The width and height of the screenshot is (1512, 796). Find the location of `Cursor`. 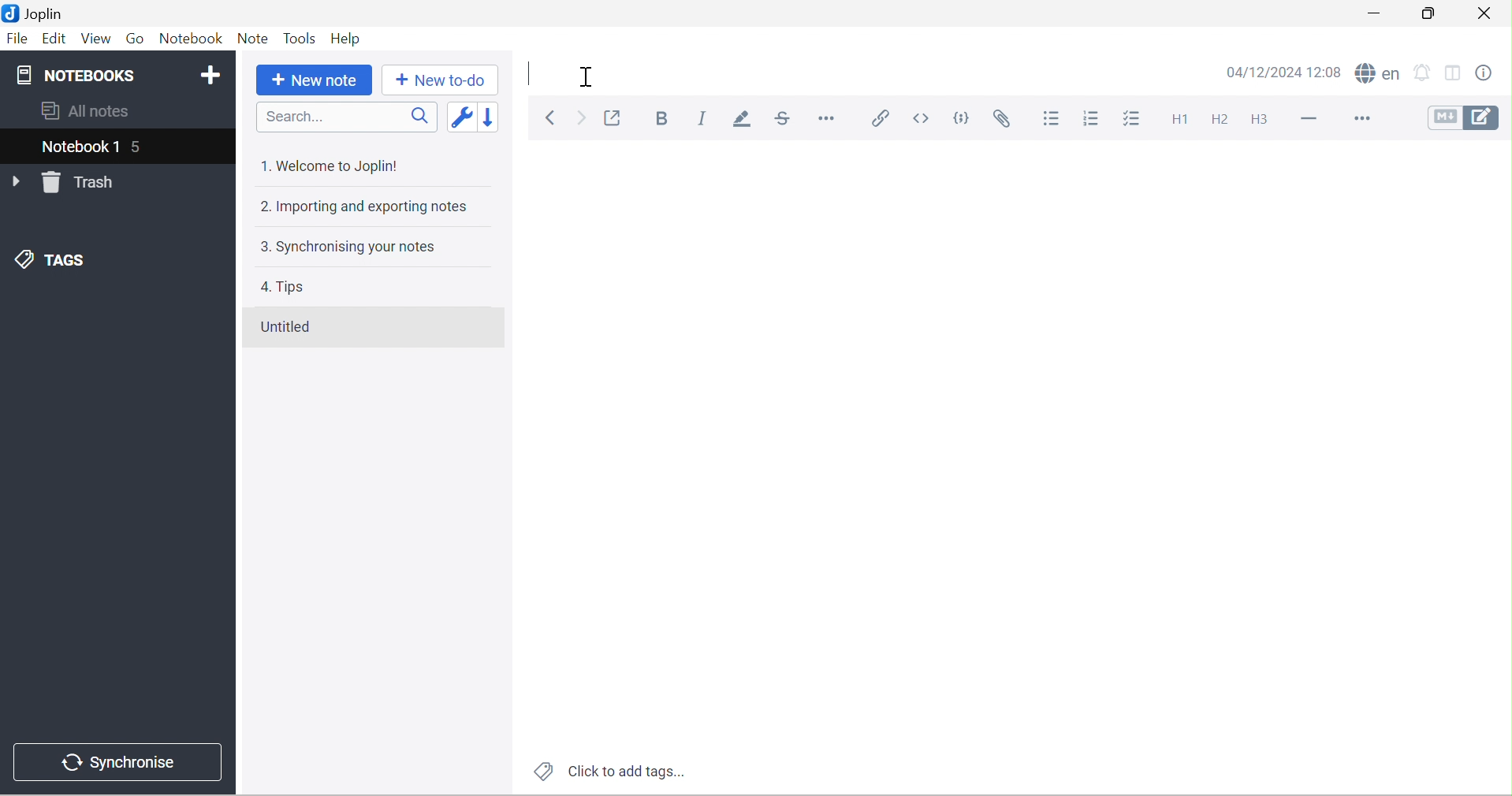

Cursor is located at coordinates (587, 76).